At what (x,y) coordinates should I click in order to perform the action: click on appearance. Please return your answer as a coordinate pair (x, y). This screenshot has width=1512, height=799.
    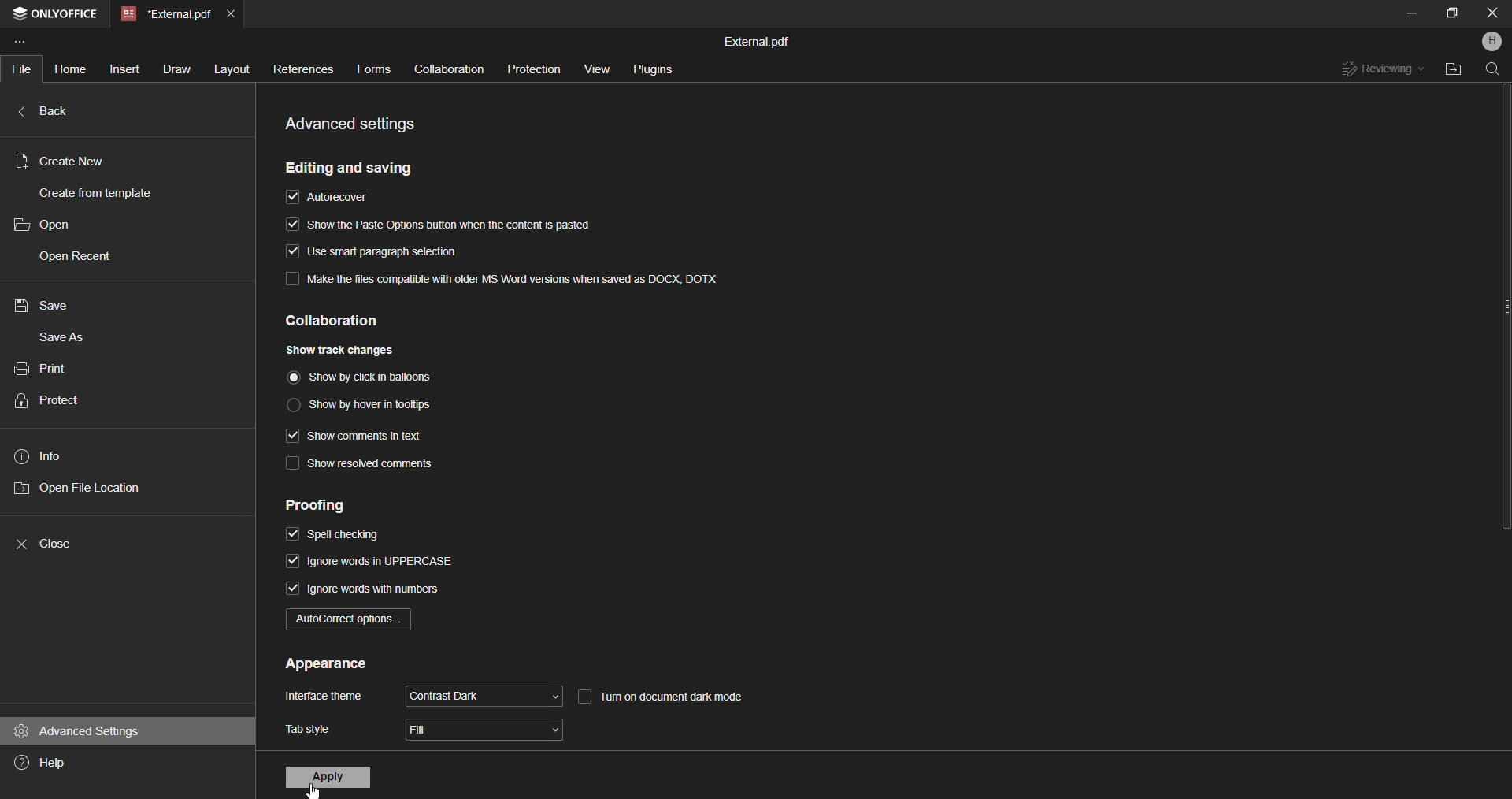
    Looking at the image, I should click on (326, 665).